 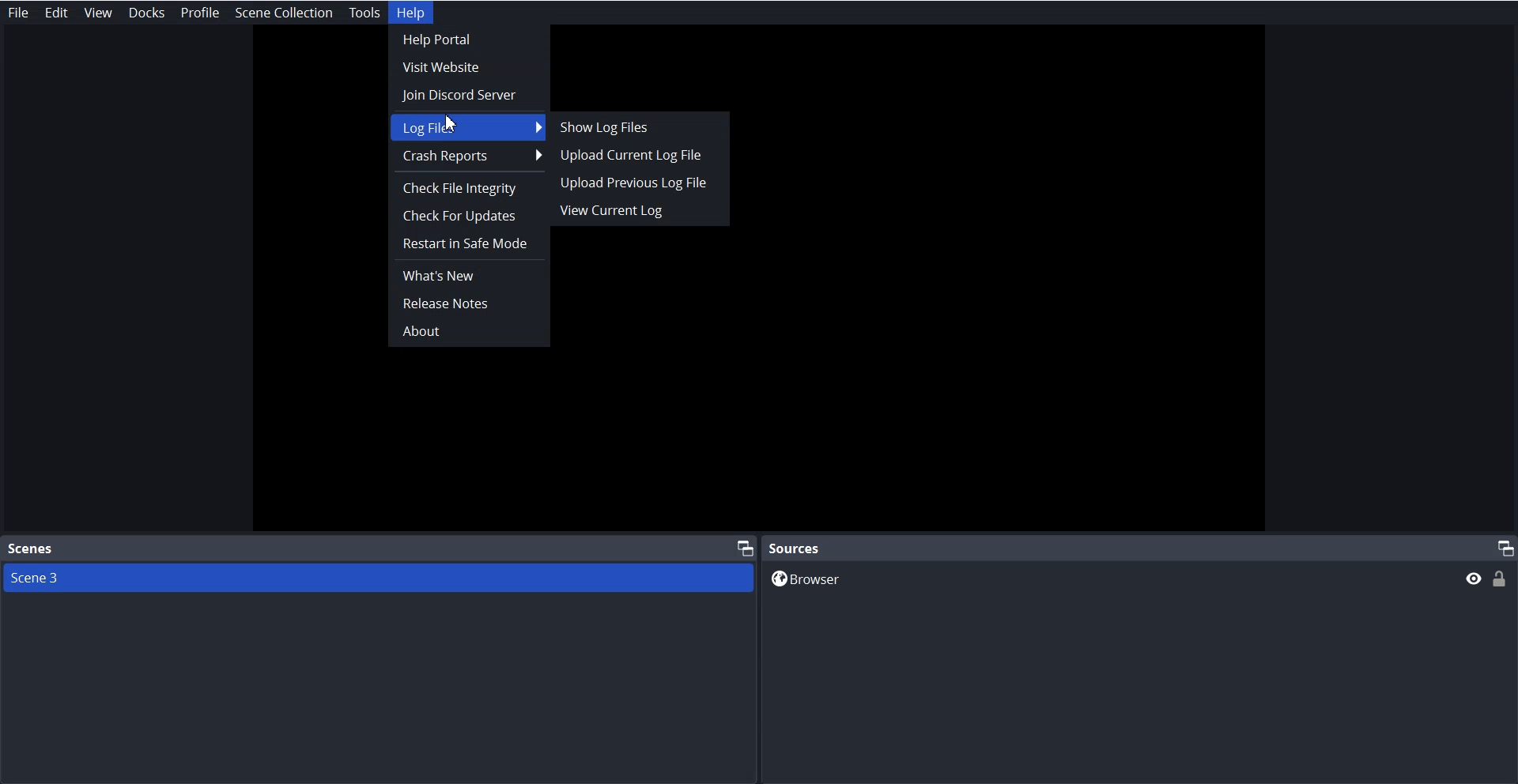 What do you see at coordinates (1499, 548) in the screenshot?
I see `Maximize Window` at bounding box center [1499, 548].